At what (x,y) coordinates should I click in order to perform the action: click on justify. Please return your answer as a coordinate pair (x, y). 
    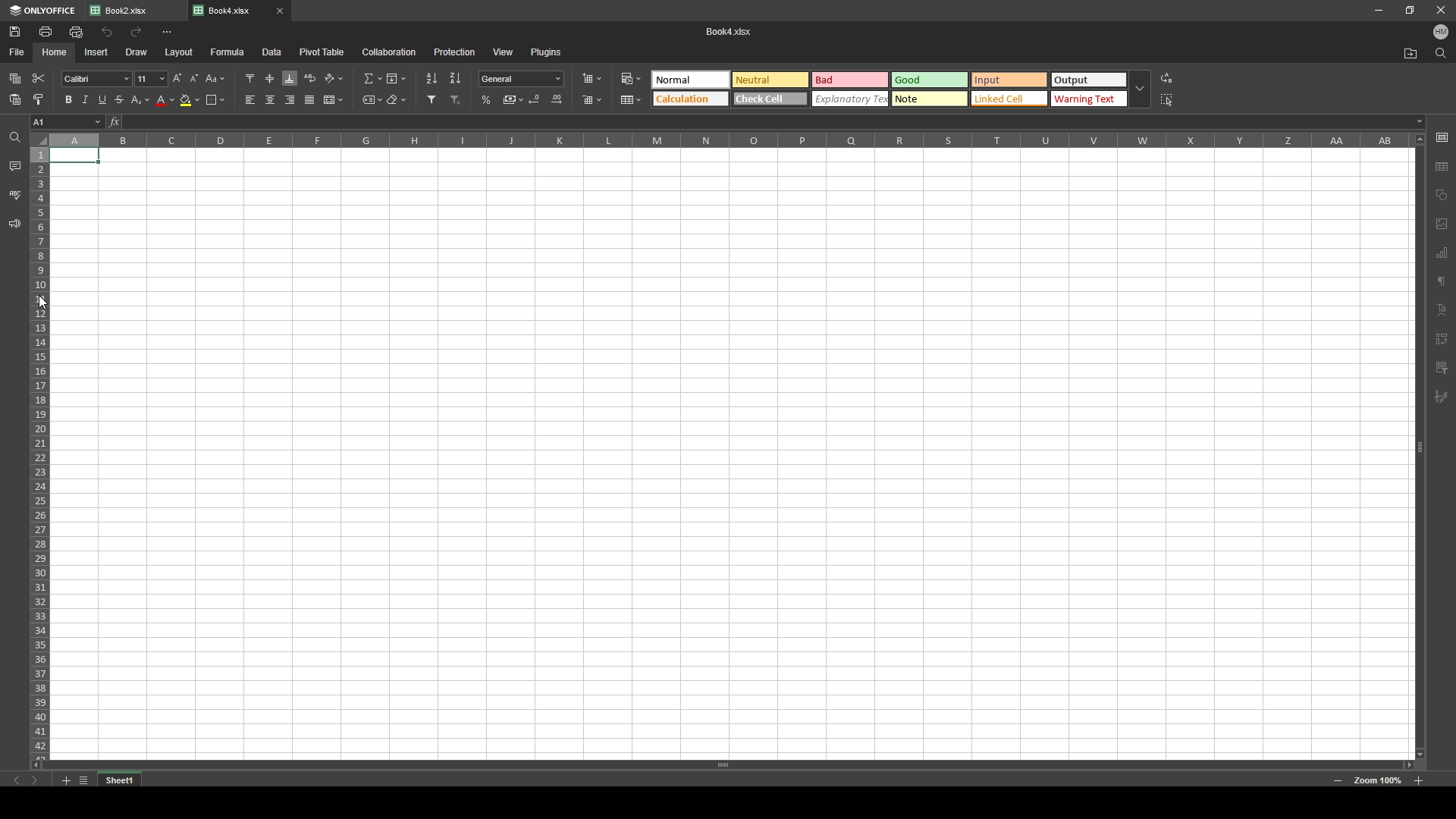
    Looking at the image, I should click on (310, 100).